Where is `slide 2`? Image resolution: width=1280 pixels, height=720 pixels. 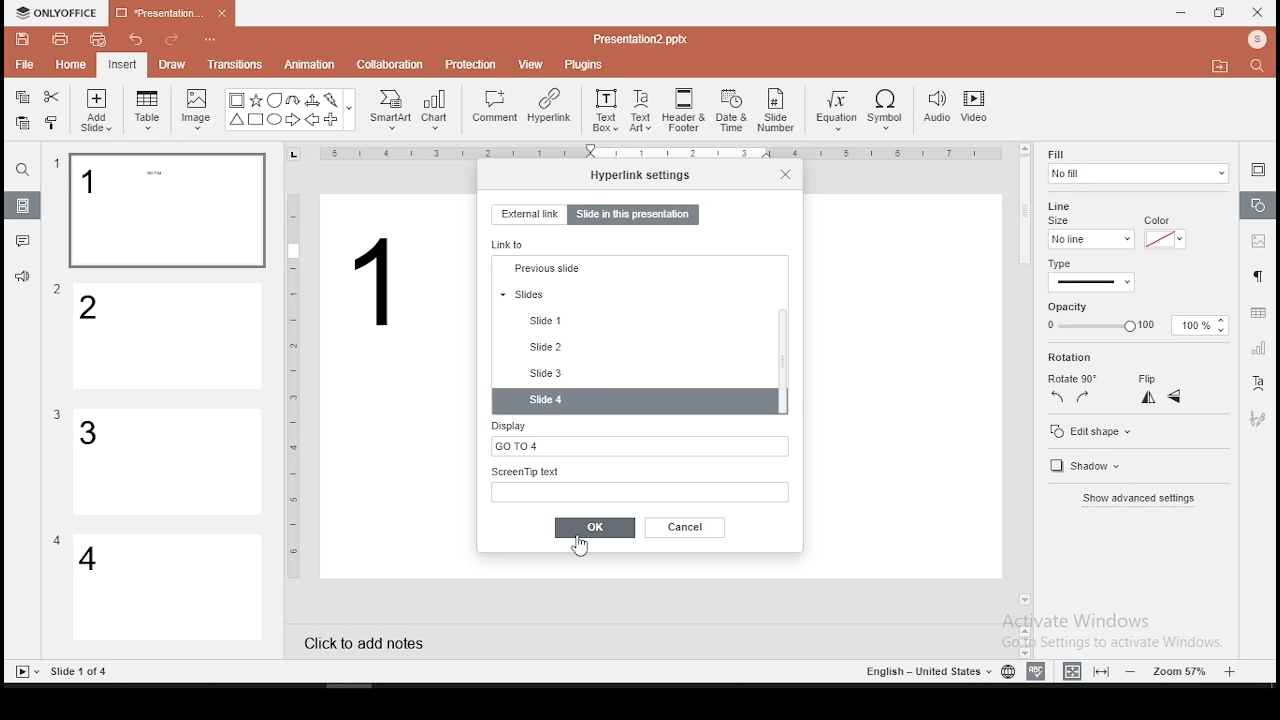 slide 2 is located at coordinates (169, 337).